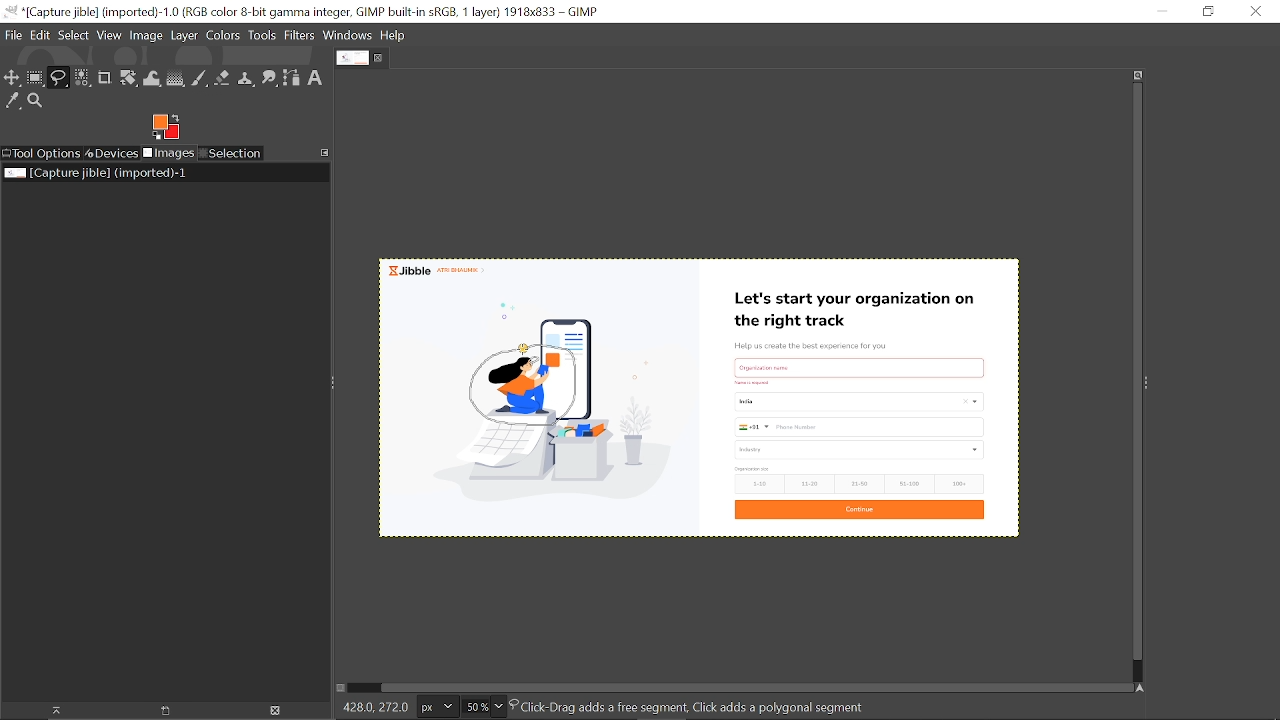 The width and height of the screenshot is (1280, 720). What do you see at coordinates (200, 79) in the screenshot?
I see `Paintbrush tool` at bounding box center [200, 79].